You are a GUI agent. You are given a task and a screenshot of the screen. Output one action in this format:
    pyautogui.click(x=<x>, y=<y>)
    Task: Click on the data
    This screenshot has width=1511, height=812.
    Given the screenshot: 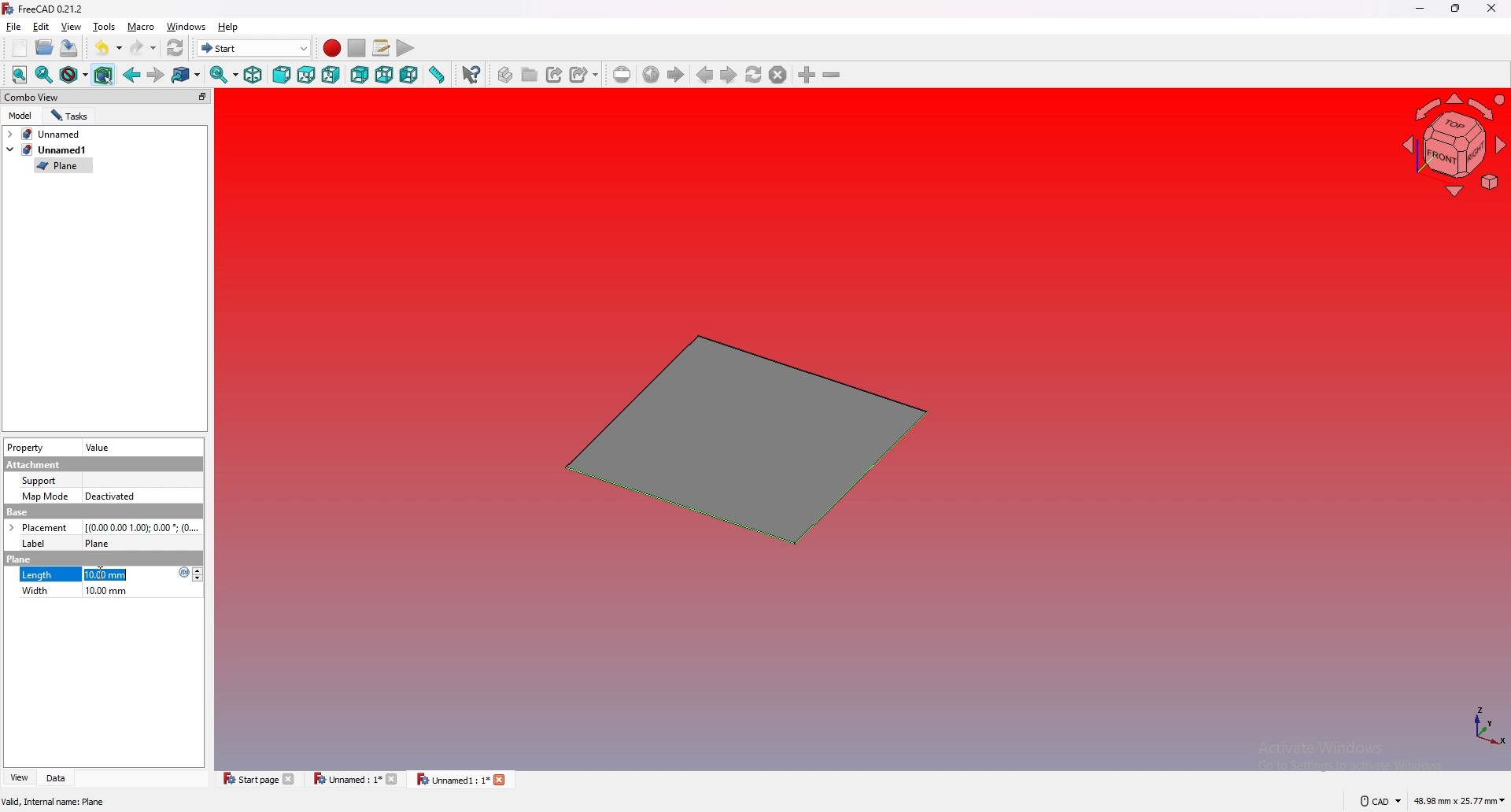 What is the action you would take?
    pyautogui.click(x=59, y=778)
    